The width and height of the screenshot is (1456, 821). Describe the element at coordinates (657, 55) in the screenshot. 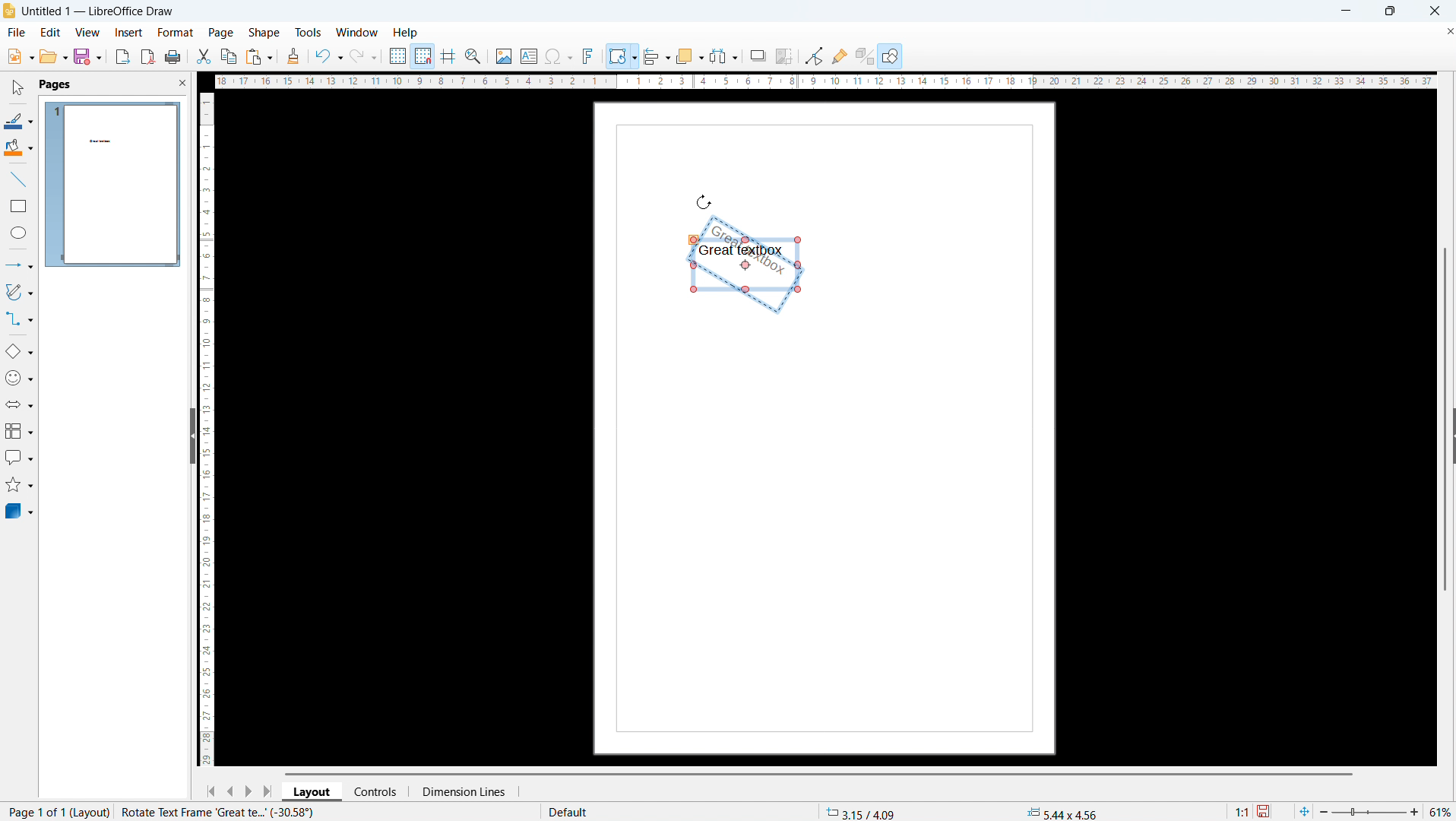

I see `align` at that location.